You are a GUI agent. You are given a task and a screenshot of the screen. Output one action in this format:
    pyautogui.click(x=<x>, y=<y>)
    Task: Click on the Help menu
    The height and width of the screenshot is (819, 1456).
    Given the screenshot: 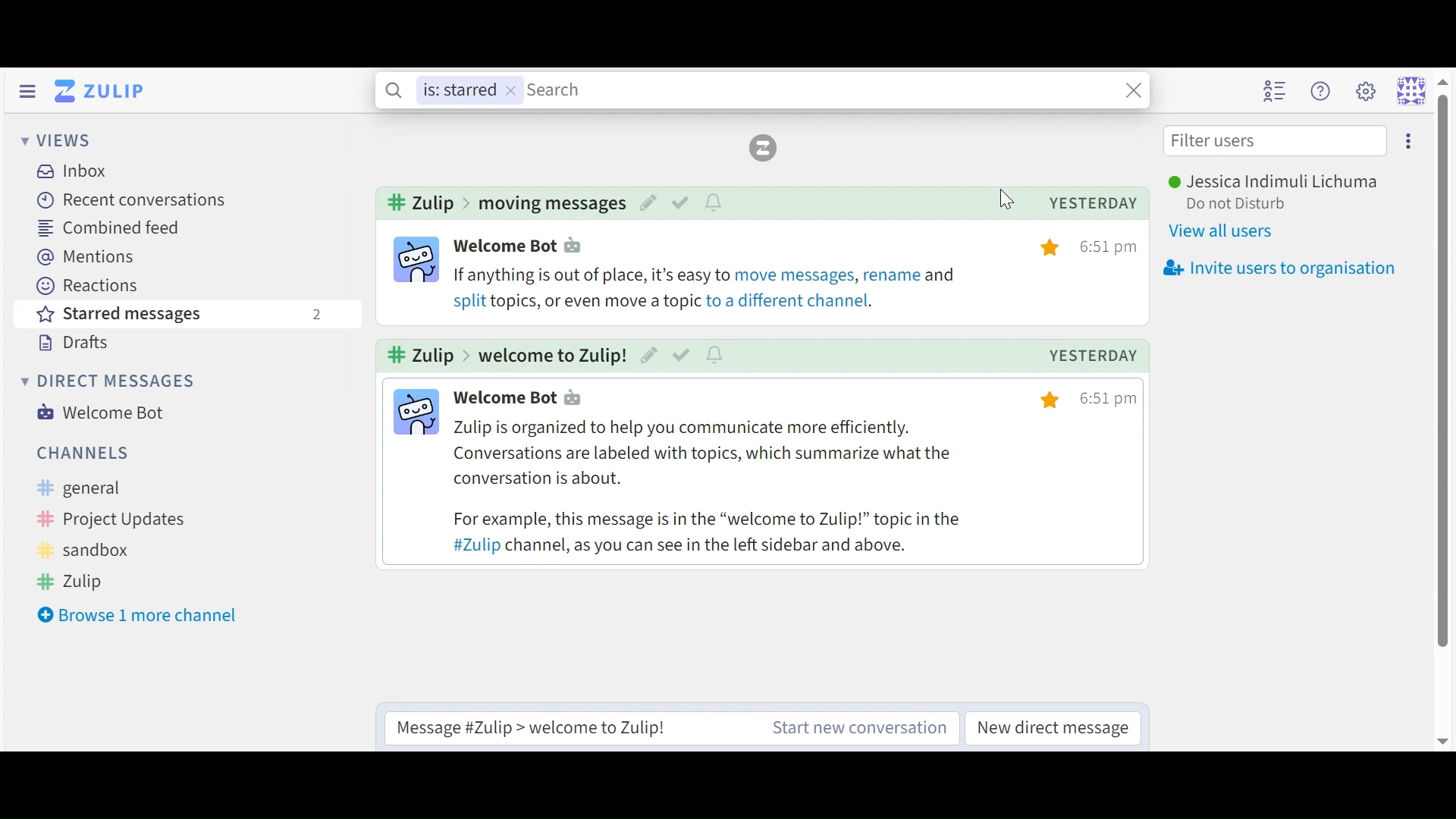 What is the action you would take?
    pyautogui.click(x=1323, y=91)
    